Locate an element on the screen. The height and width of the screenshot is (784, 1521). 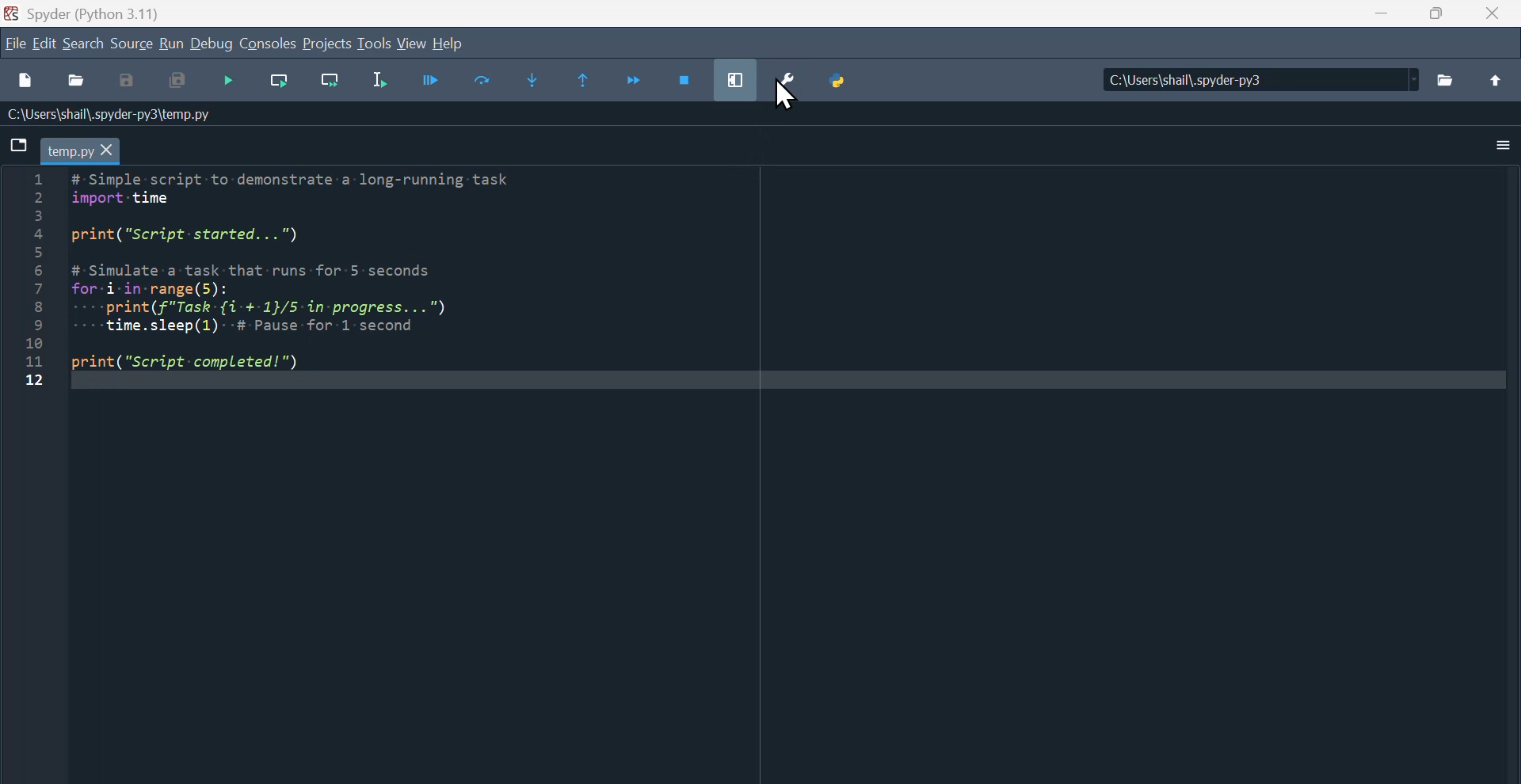
Edit is located at coordinates (44, 45).